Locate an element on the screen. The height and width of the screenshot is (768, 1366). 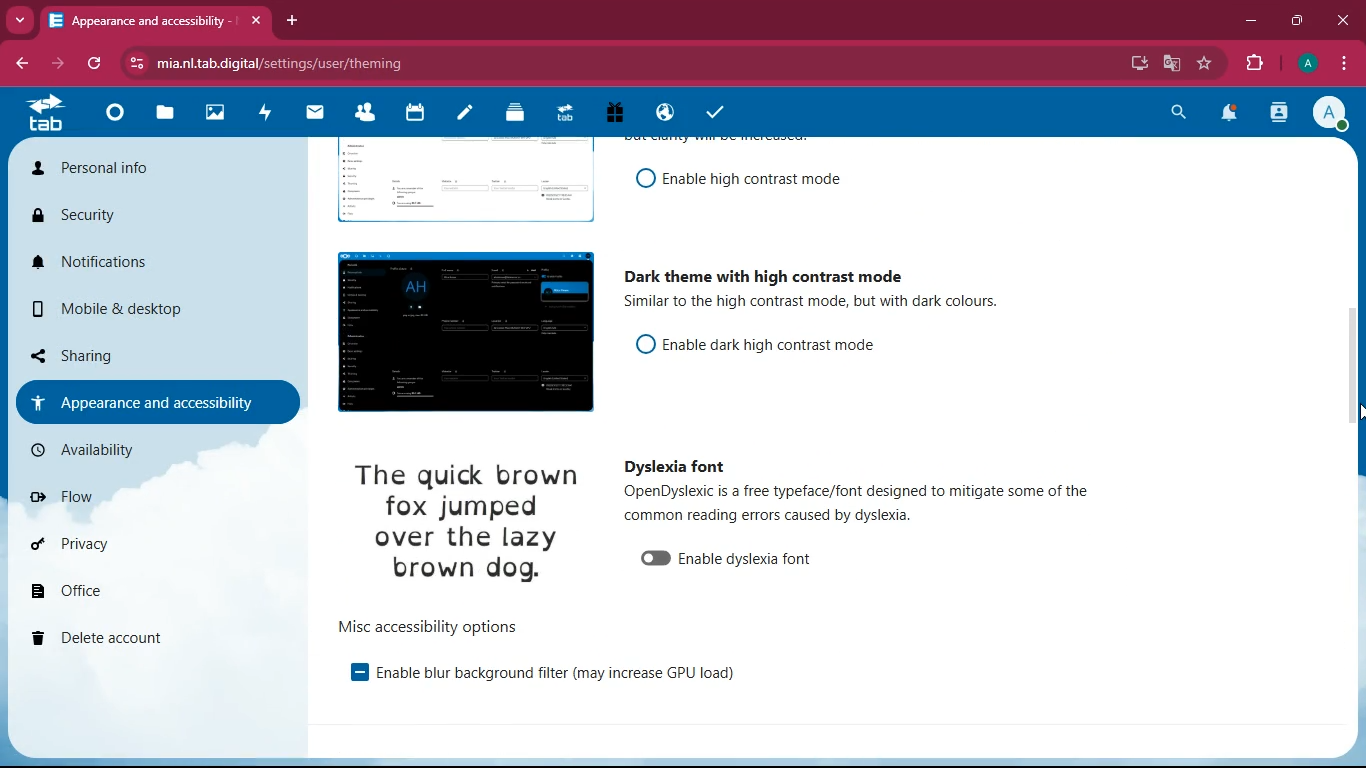
activity is located at coordinates (270, 114).